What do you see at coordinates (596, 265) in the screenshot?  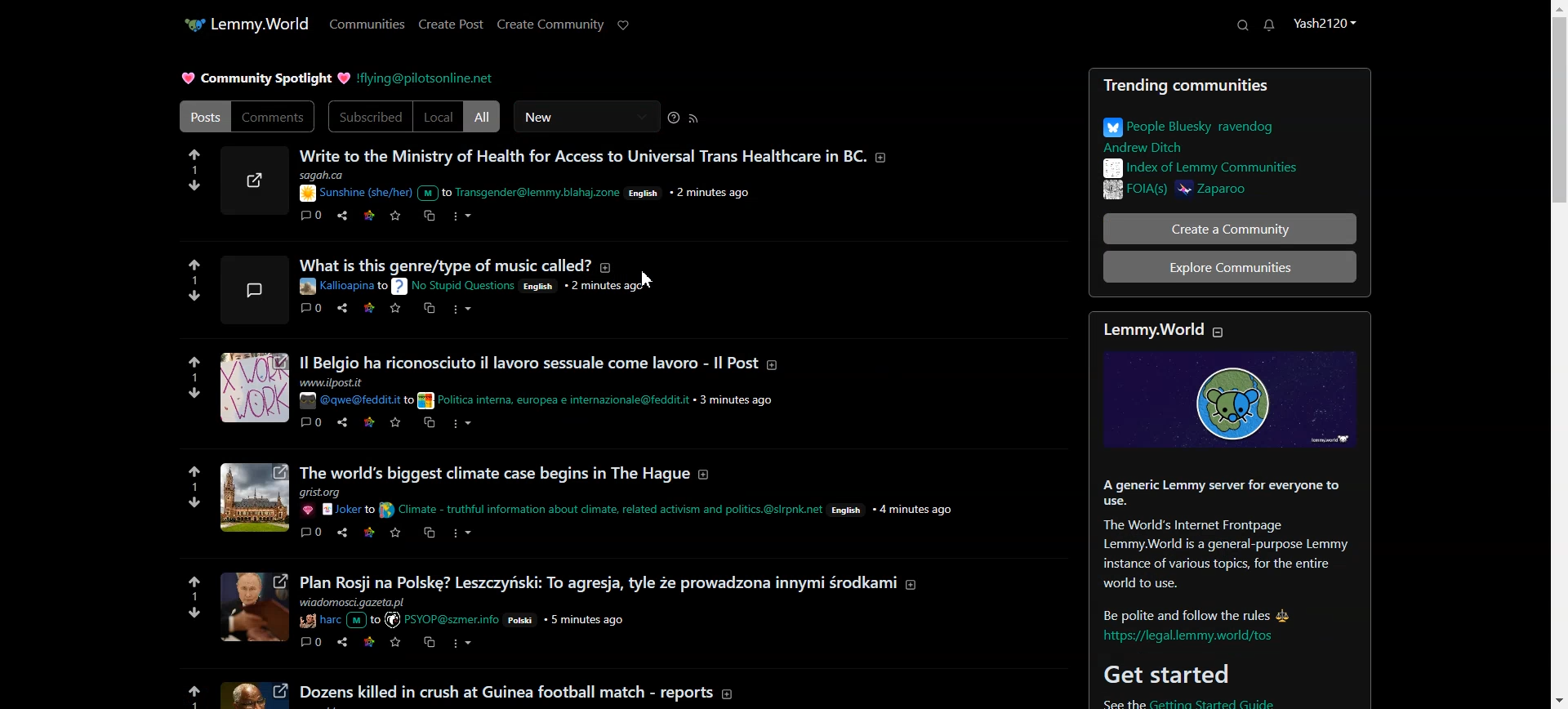 I see `§ LE PRINCIPE DE CONDORCE! (£/42) Macron a-t-1l ete mal elu 7 - Grain de philo #9` at bounding box center [596, 265].